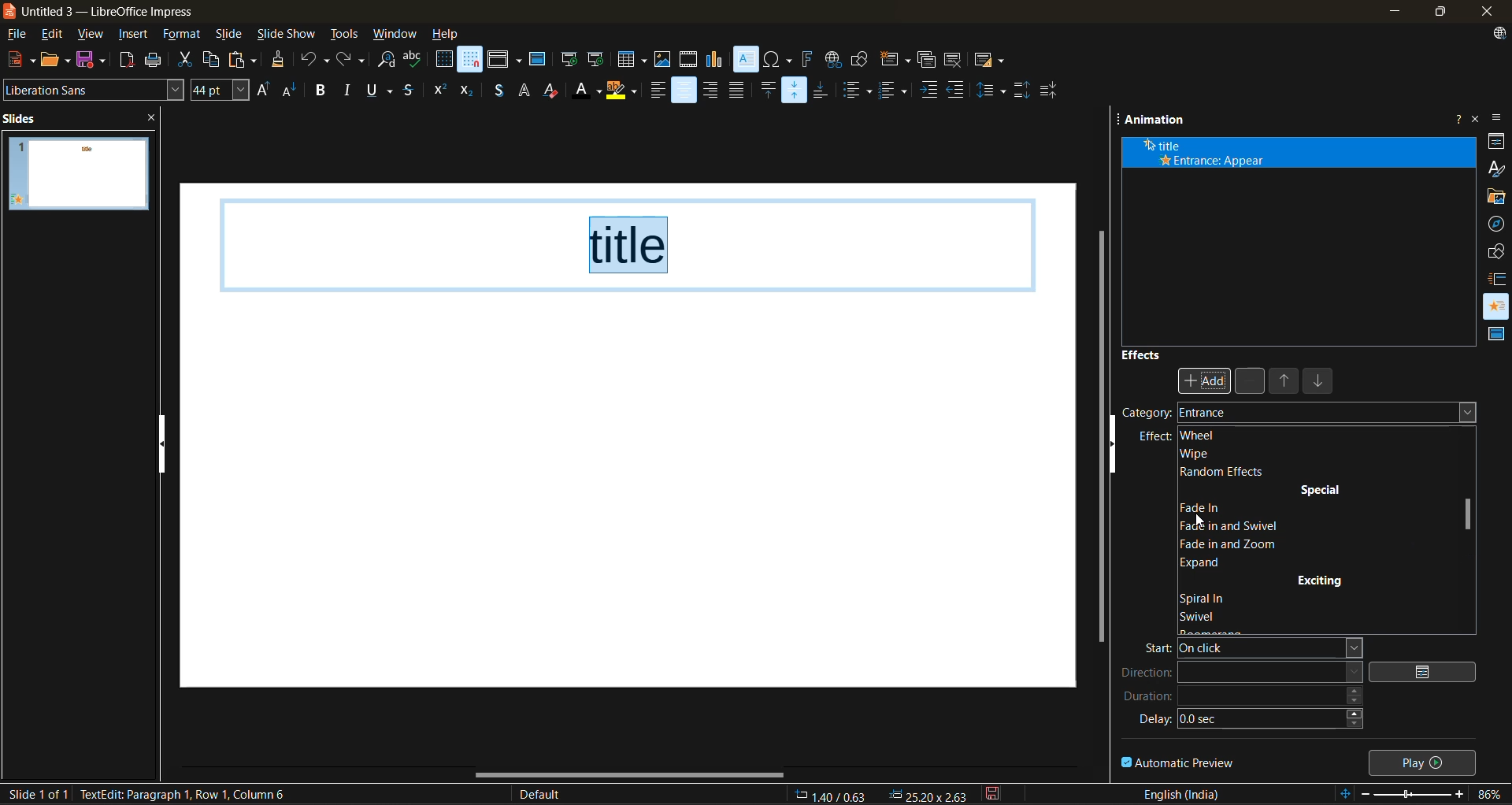  I want to click on close pane, so click(159, 120).